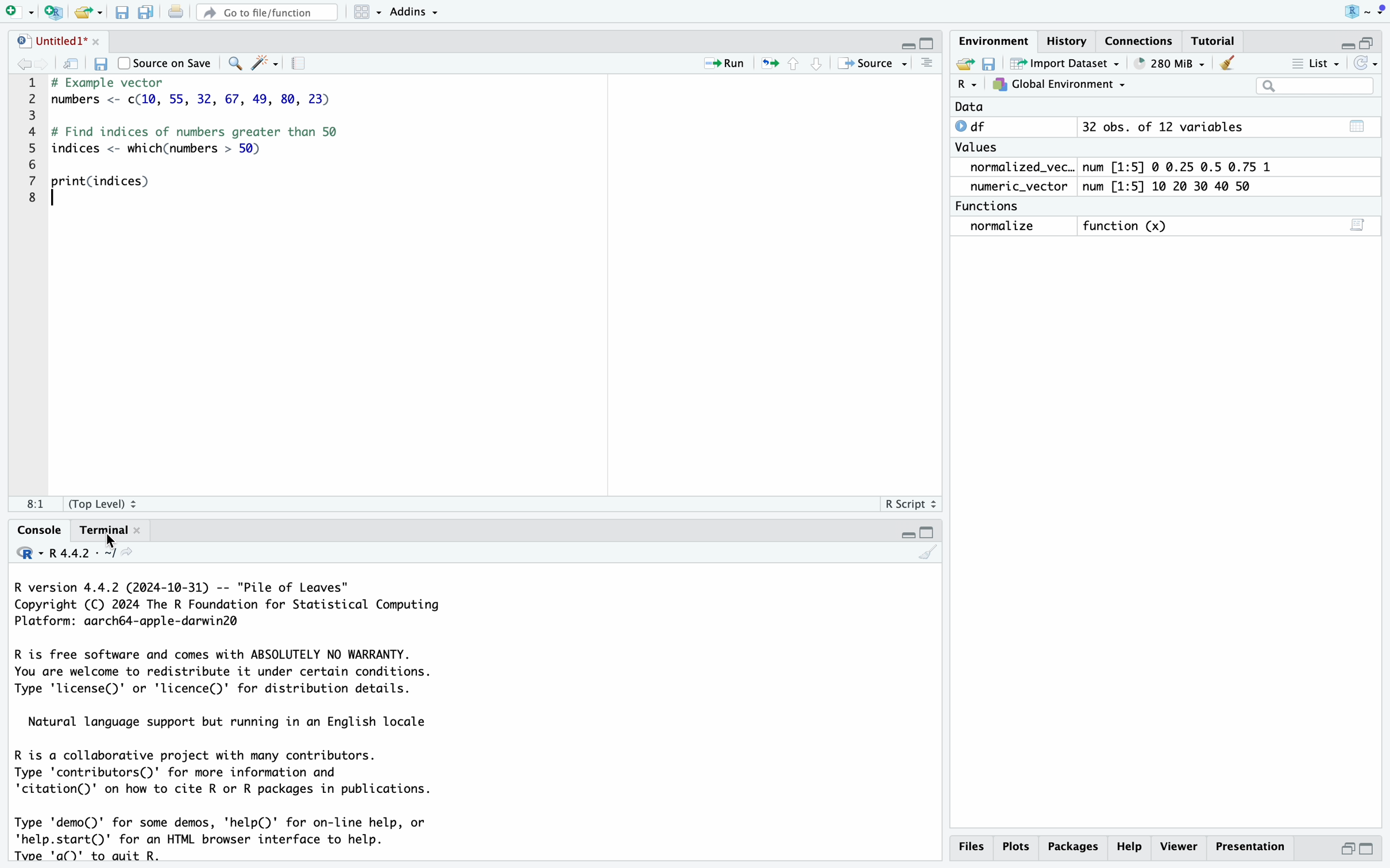  What do you see at coordinates (1317, 63) in the screenshot?
I see `List ` at bounding box center [1317, 63].